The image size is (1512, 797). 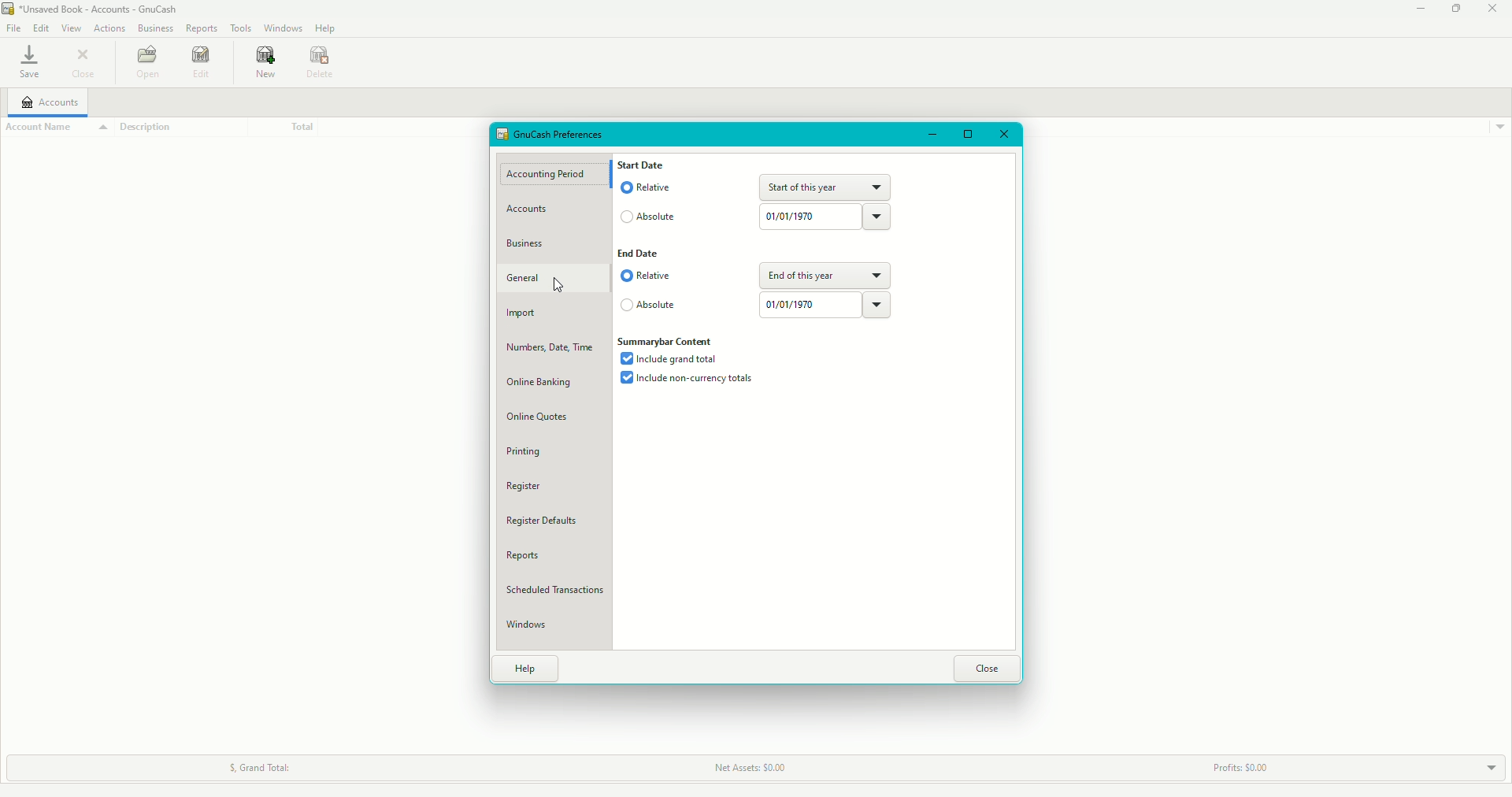 I want to click on Summarybar, so click(x=666, y=342).